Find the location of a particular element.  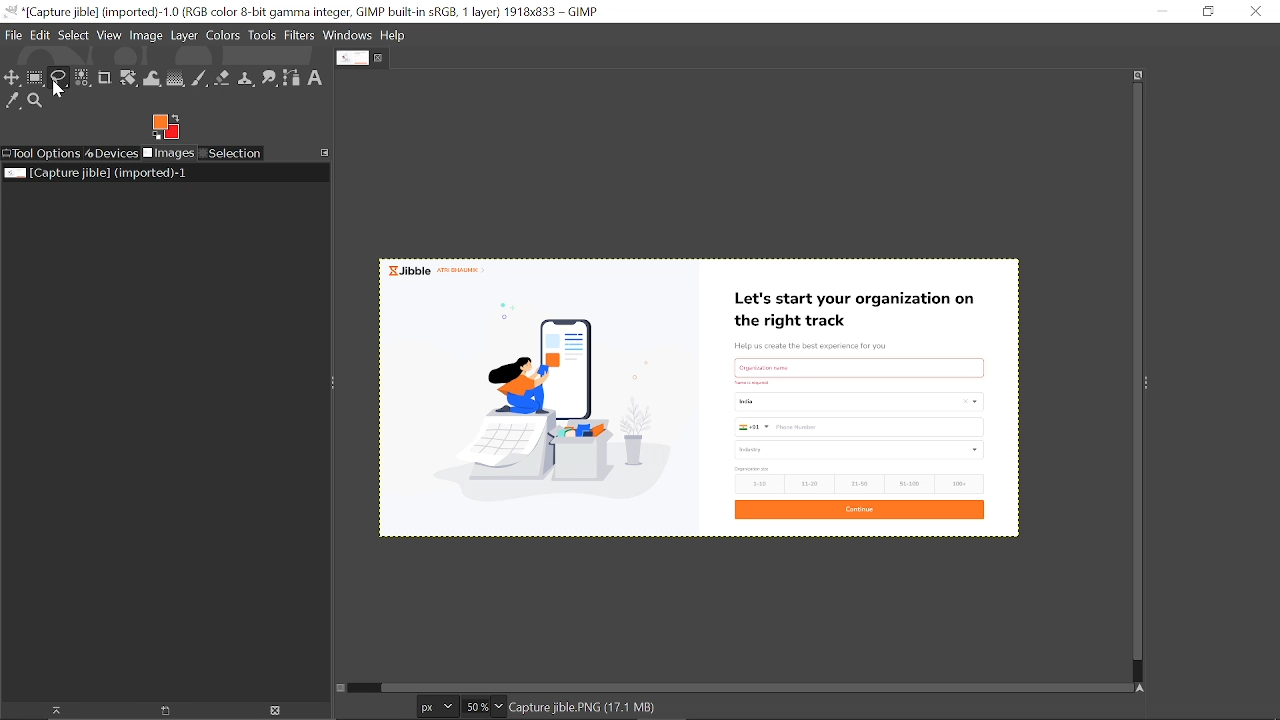

Gradient tool is located at coordinates (176, 78).